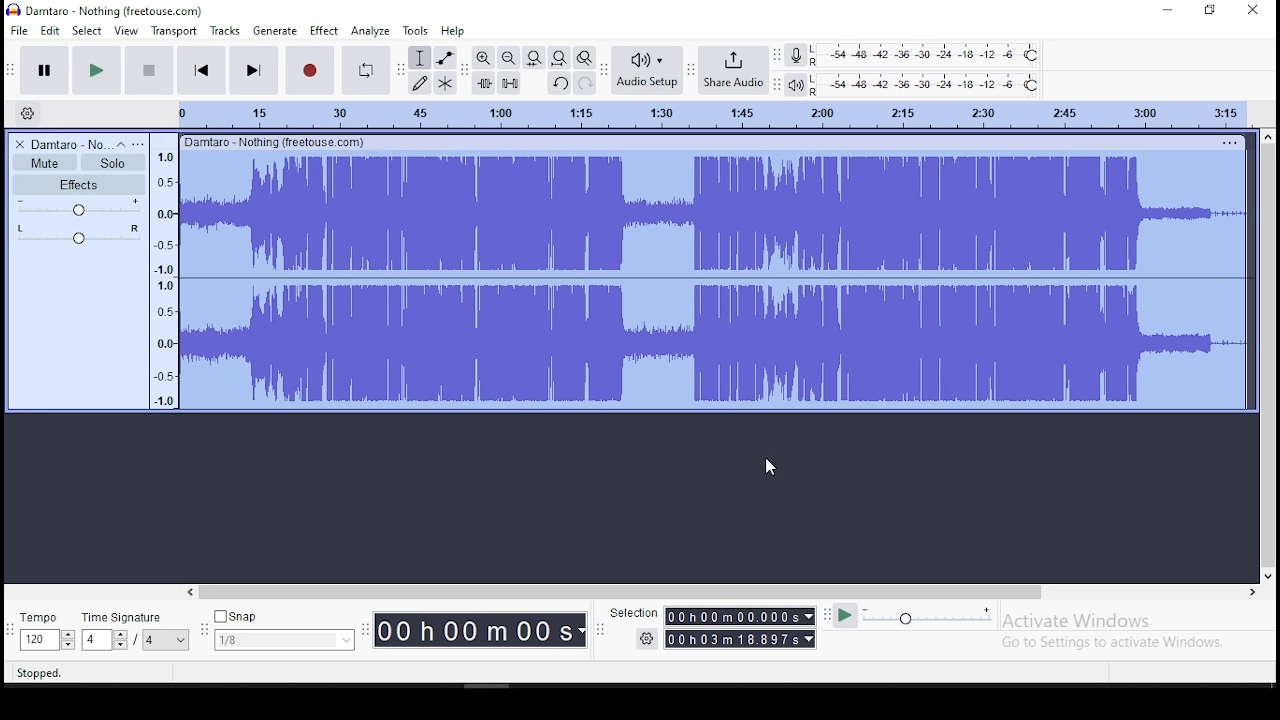 The height and width of the screenshot is (720, 1280). What do you see at coordinates (44, 629) in the screenshot?
I see `tempo` at bounding box center [44, 629].